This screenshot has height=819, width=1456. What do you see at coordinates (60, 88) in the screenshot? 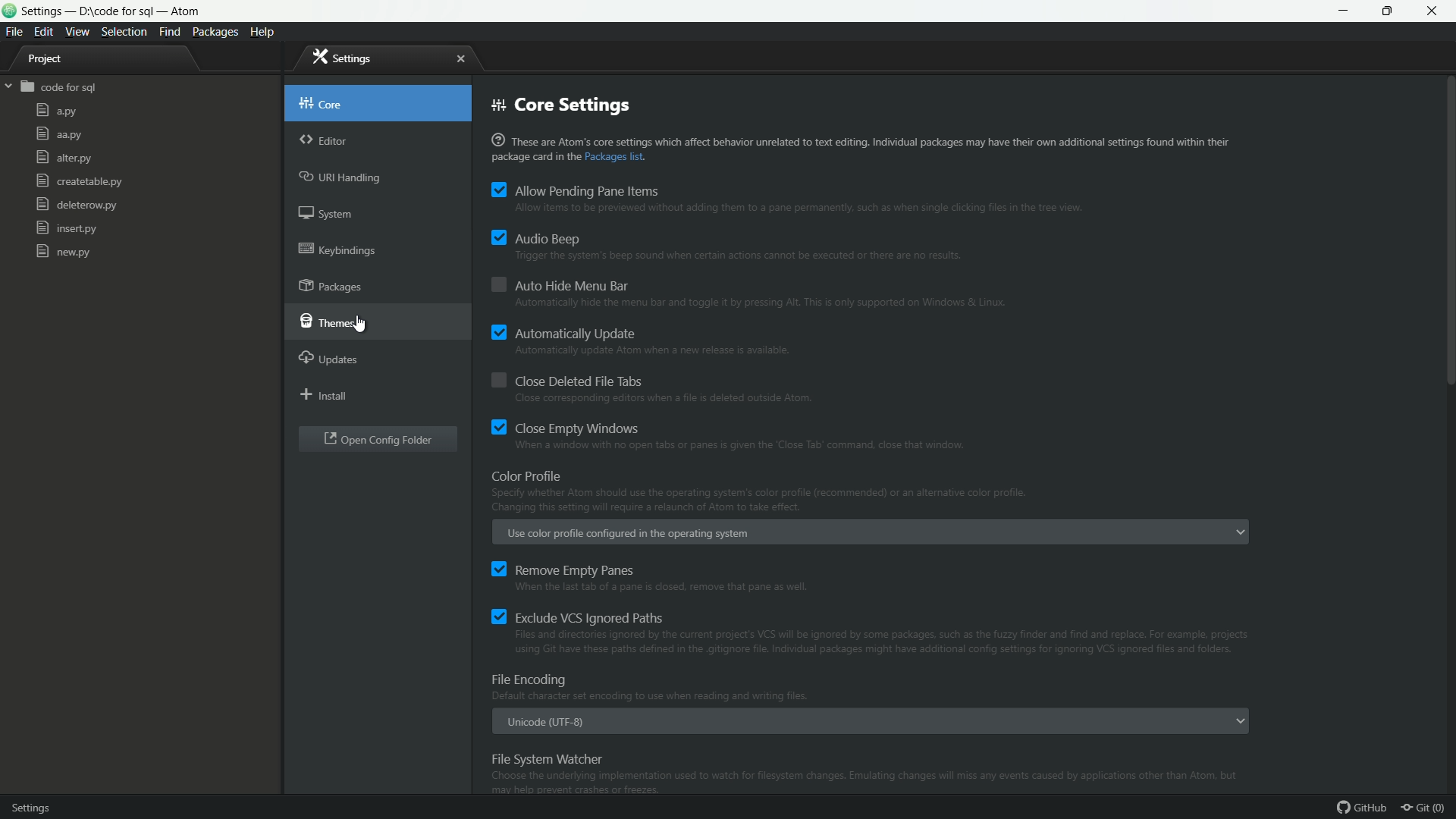
I see `folder name` at bounding box center [60, 88].